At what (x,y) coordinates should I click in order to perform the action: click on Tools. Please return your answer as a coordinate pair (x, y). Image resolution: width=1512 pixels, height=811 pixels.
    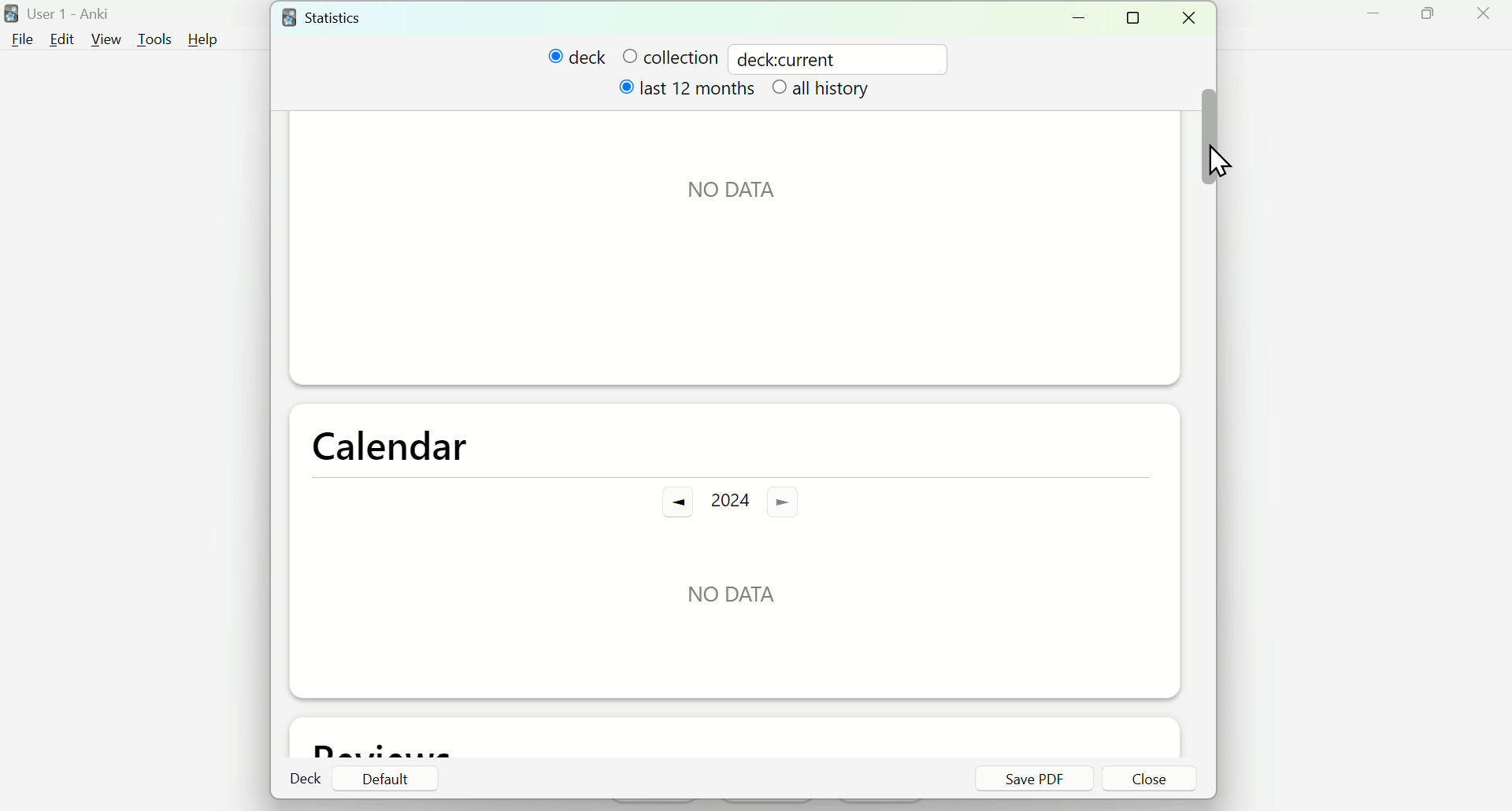
    Looking at the image, I should click on (151, 37).